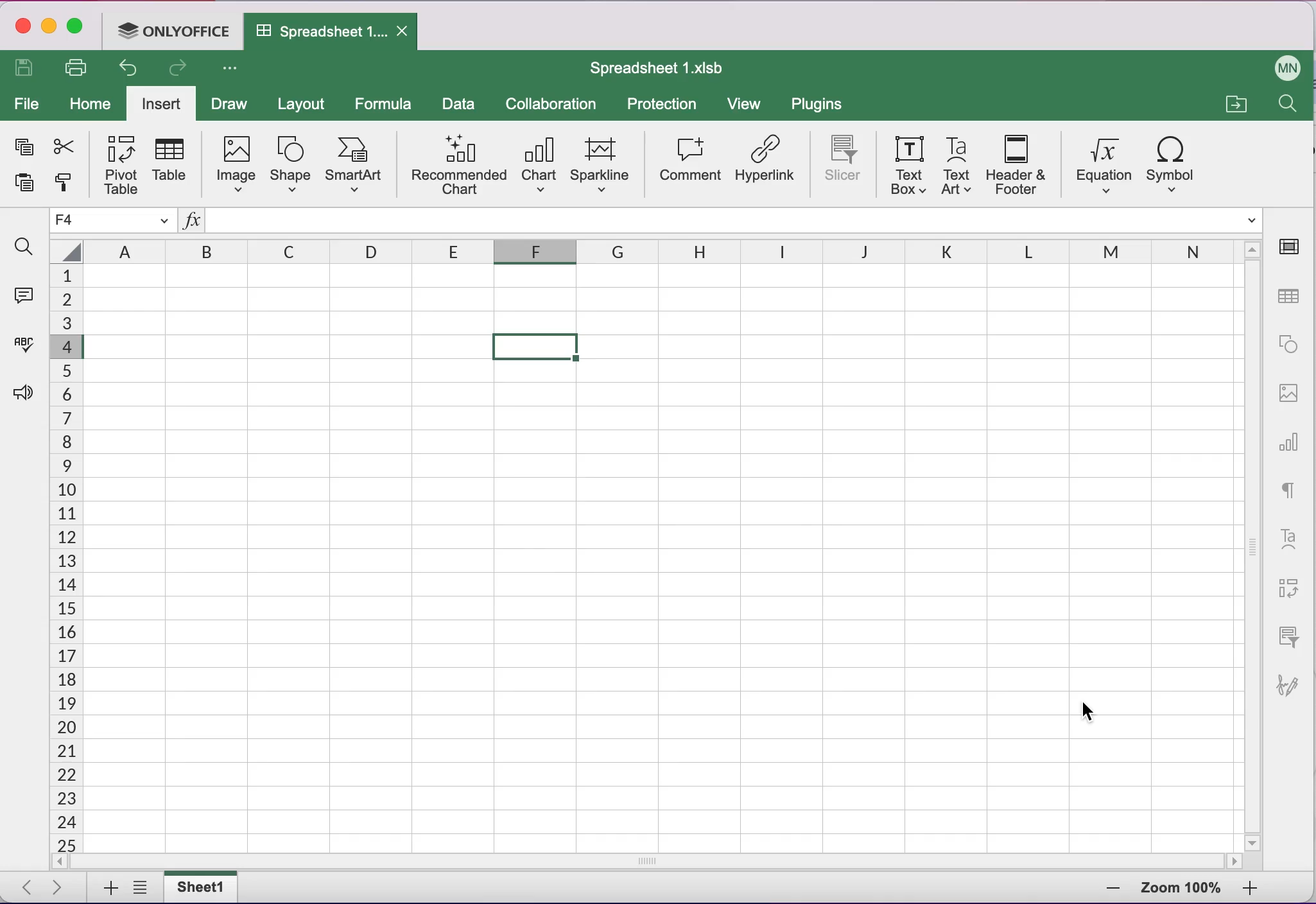 Image resolution: width=1316 pixels, height=904 pixels. Describe the element at coordinates (844, 164) in the screenshot. I see `slicer` at that location.